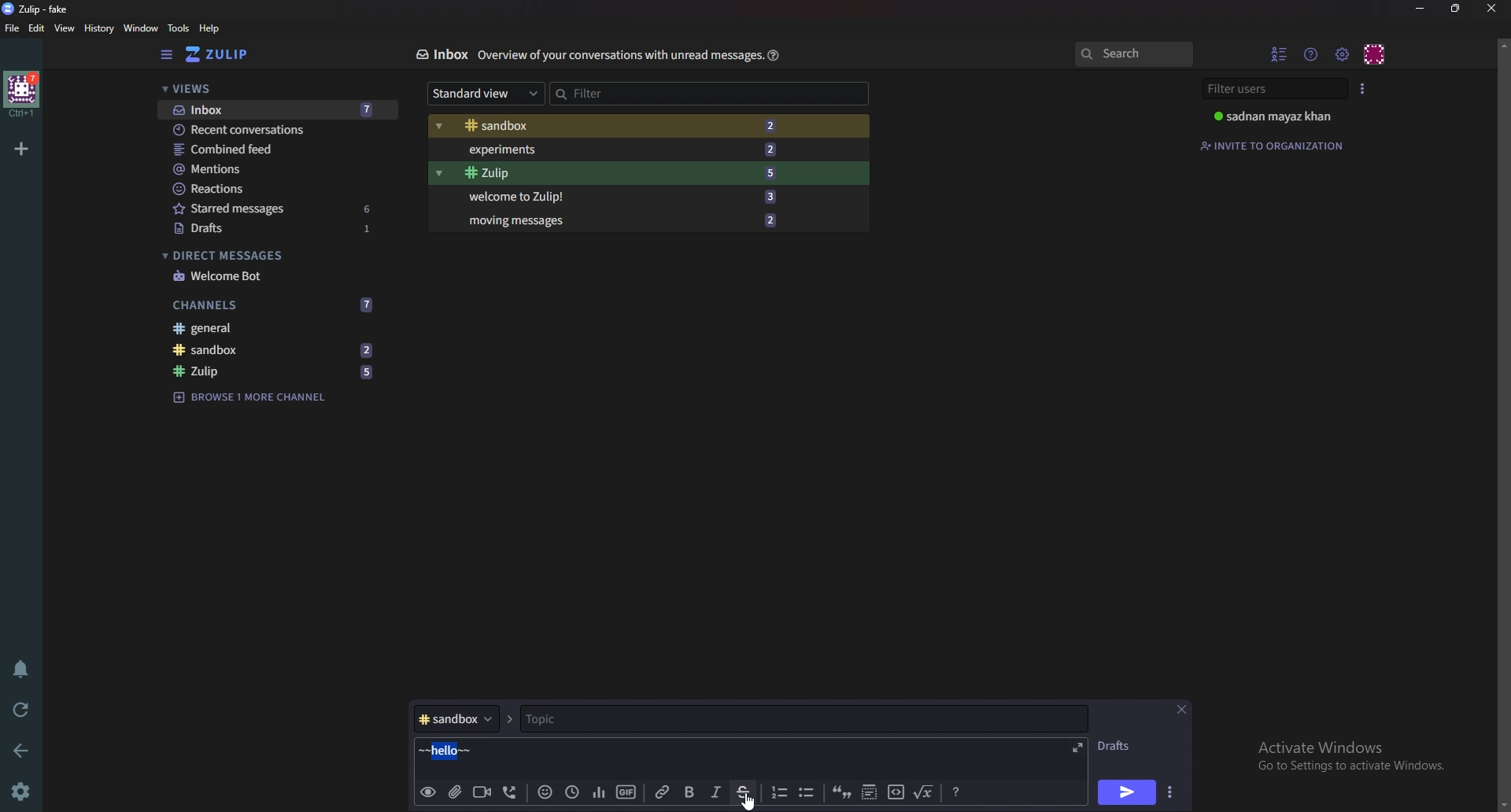  Describe the element at coordinates (268, 148) in the screenshot. I see `Combined feed` at that location.